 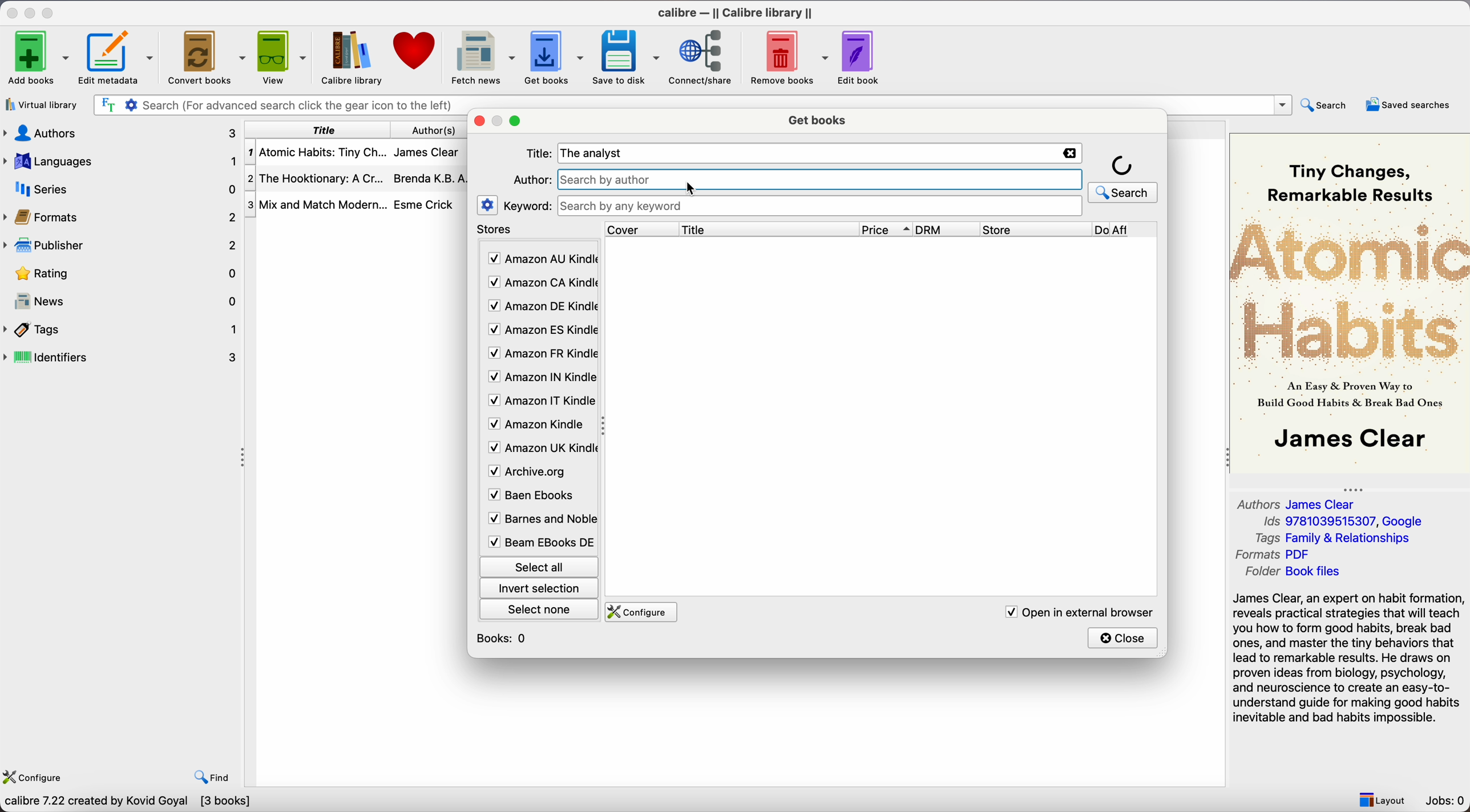 I want to click on Amazon CA Kindle, so click(x=541, y=282).